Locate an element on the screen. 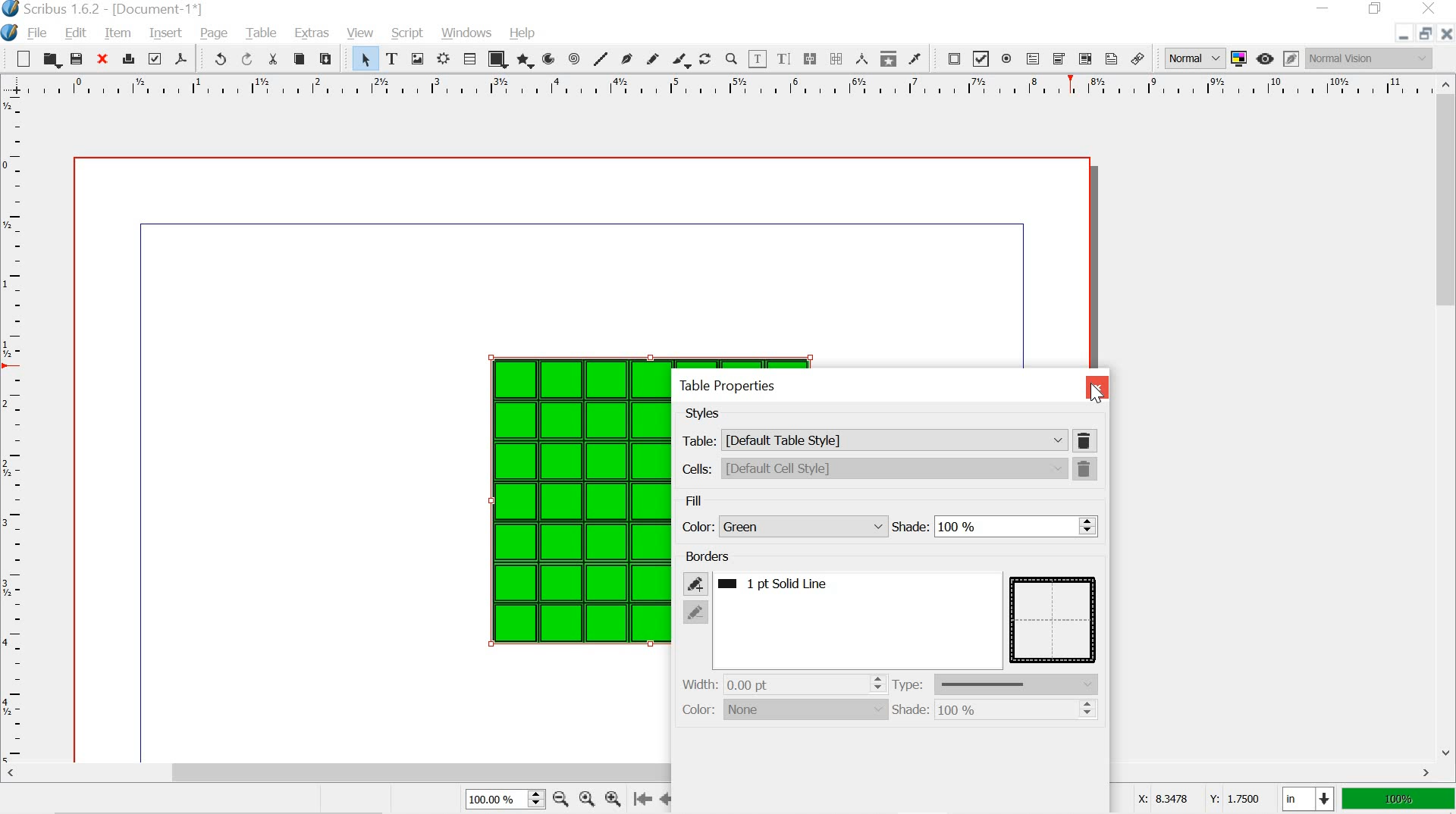 Image resolution: width=1456 pixels, height=814 pixels. colse is located at coordinates (1097, 385).